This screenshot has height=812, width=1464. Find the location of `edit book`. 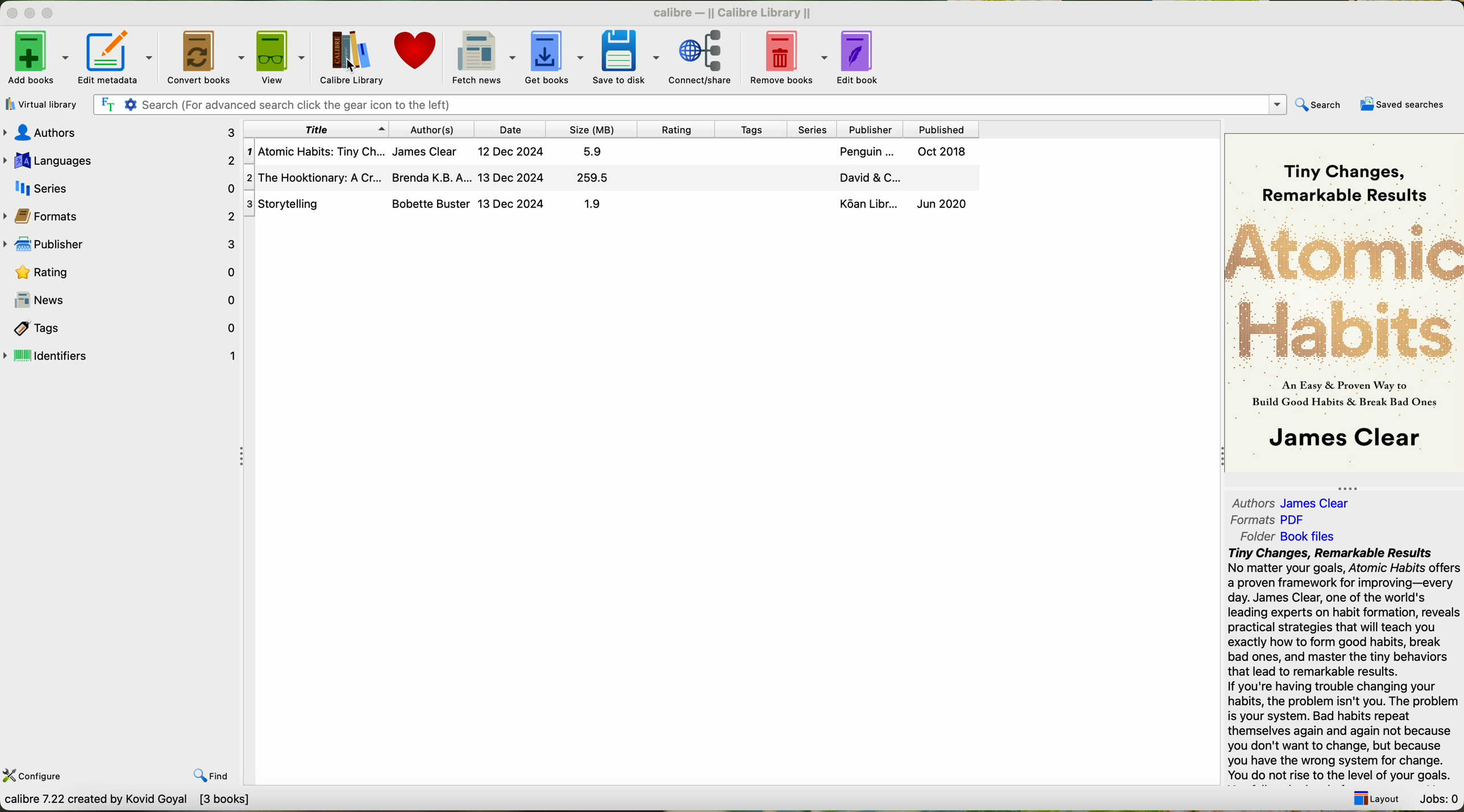

edit book is located at coordinates (863, 57).